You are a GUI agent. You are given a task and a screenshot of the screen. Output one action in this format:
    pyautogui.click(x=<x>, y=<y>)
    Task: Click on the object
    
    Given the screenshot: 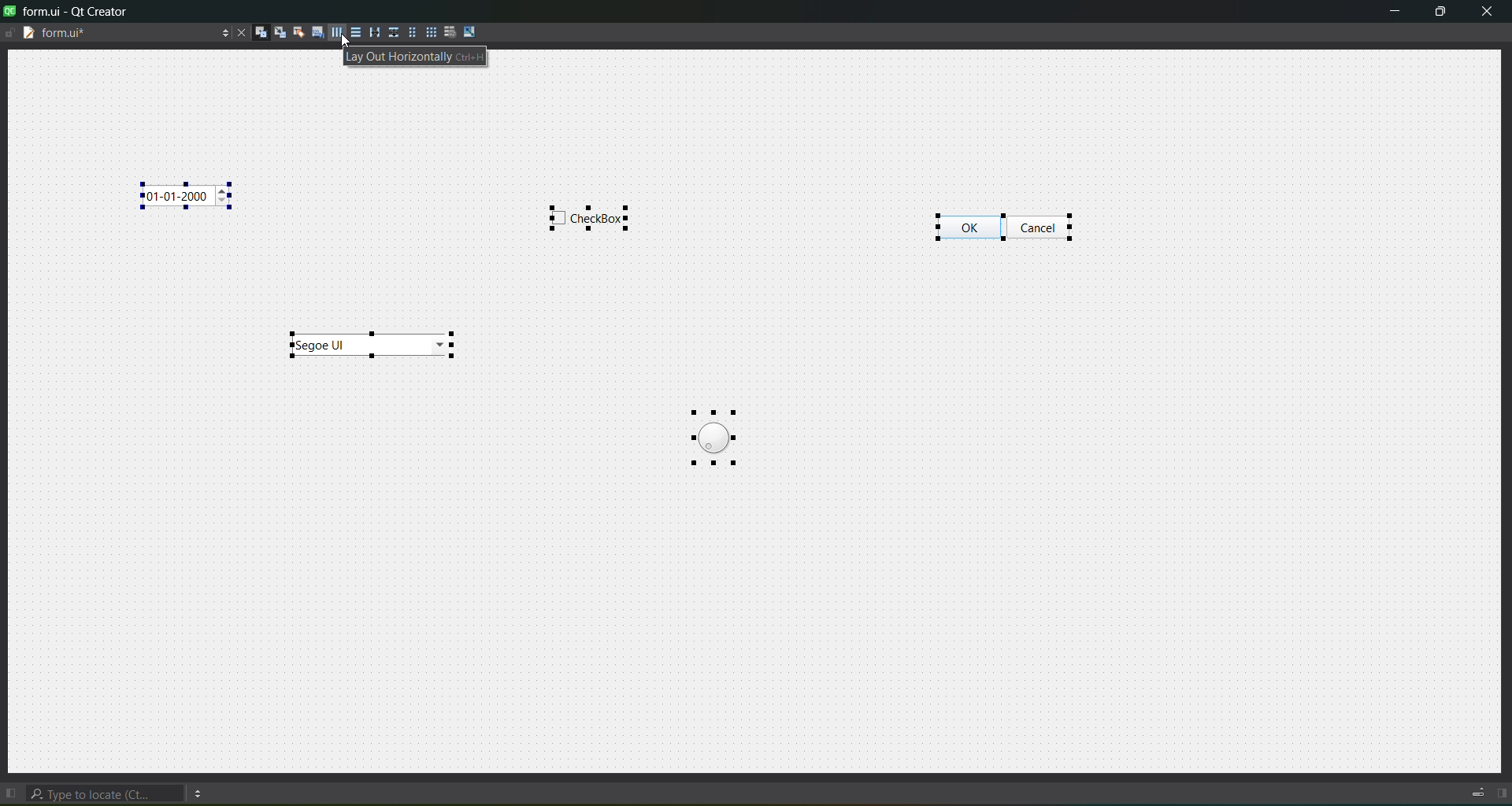 What is the action you would take?
    pyautogui.click(x=188, y=199)
    